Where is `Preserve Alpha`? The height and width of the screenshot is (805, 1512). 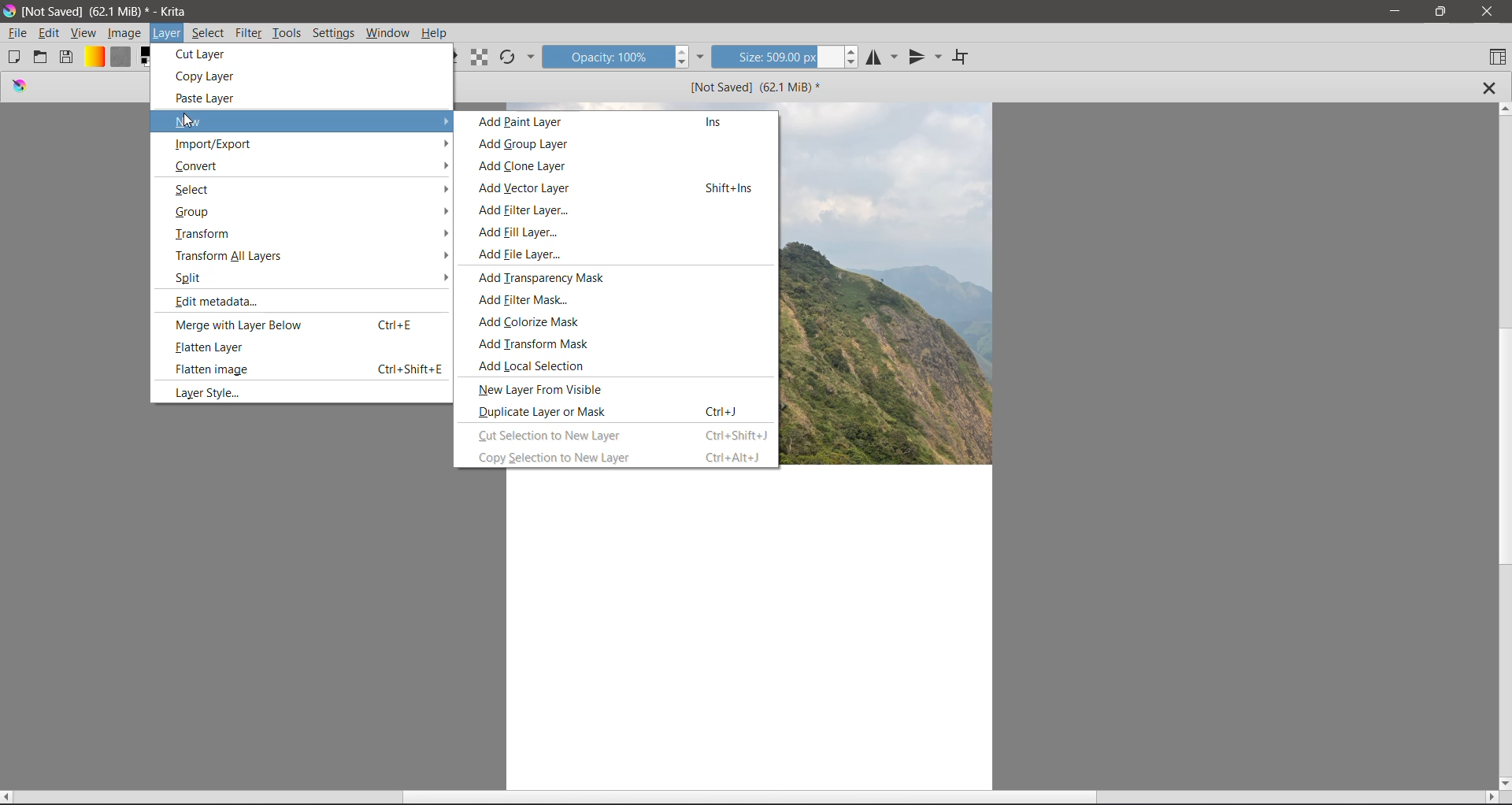
Preserve Alpha is located at coordinates (479, 57).